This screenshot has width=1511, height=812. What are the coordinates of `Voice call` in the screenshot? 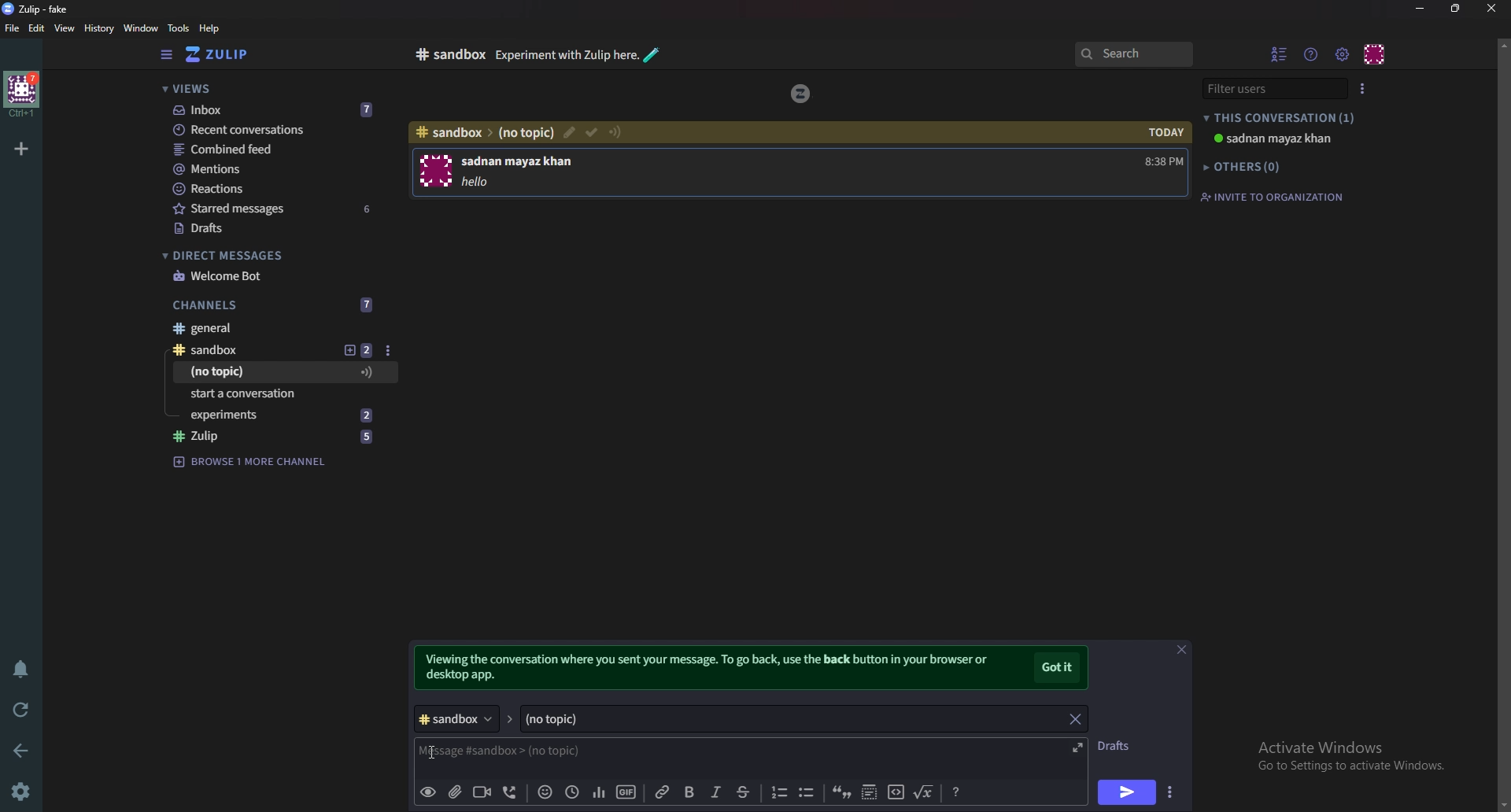 It's located at (512, 793).